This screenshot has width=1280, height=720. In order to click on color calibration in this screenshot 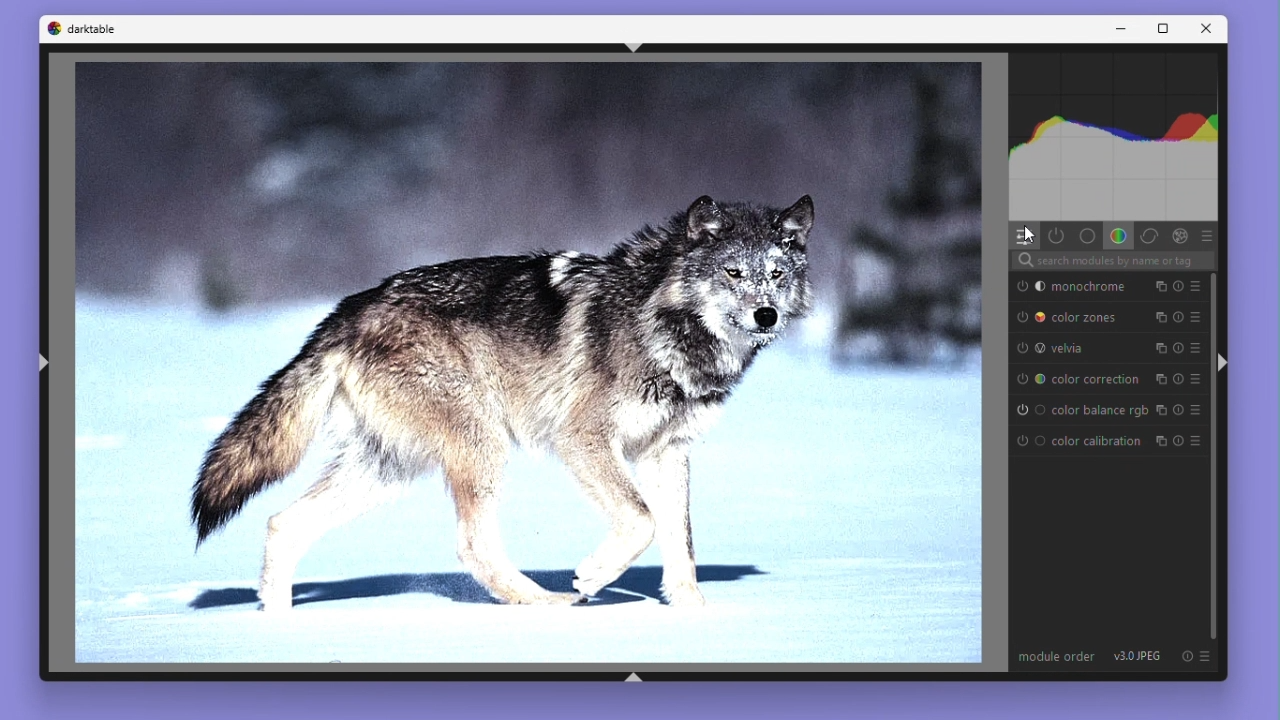, I will do `click(1078, 443)`.